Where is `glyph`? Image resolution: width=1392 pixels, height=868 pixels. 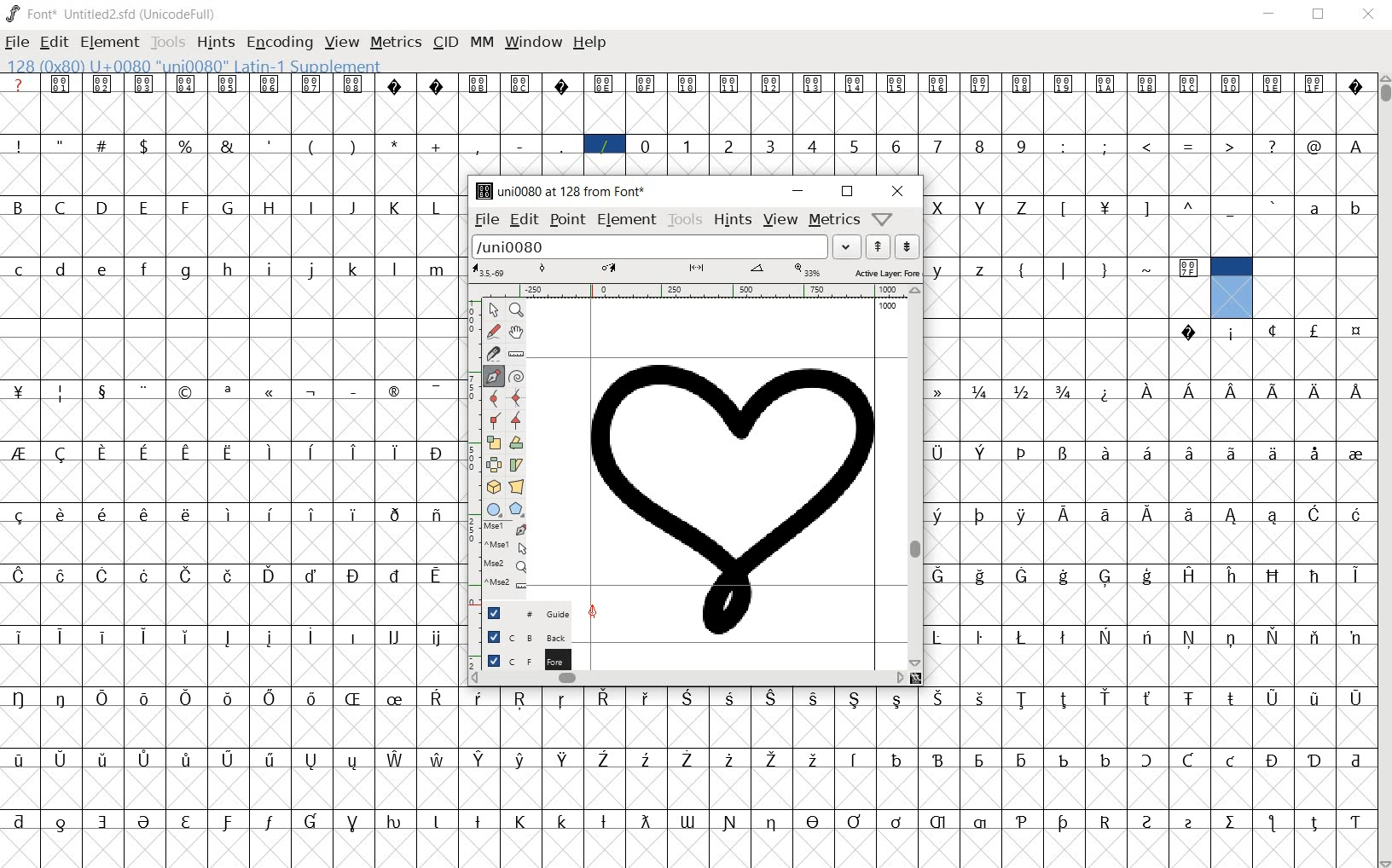 glyph is located at coordinates (1314, 330).